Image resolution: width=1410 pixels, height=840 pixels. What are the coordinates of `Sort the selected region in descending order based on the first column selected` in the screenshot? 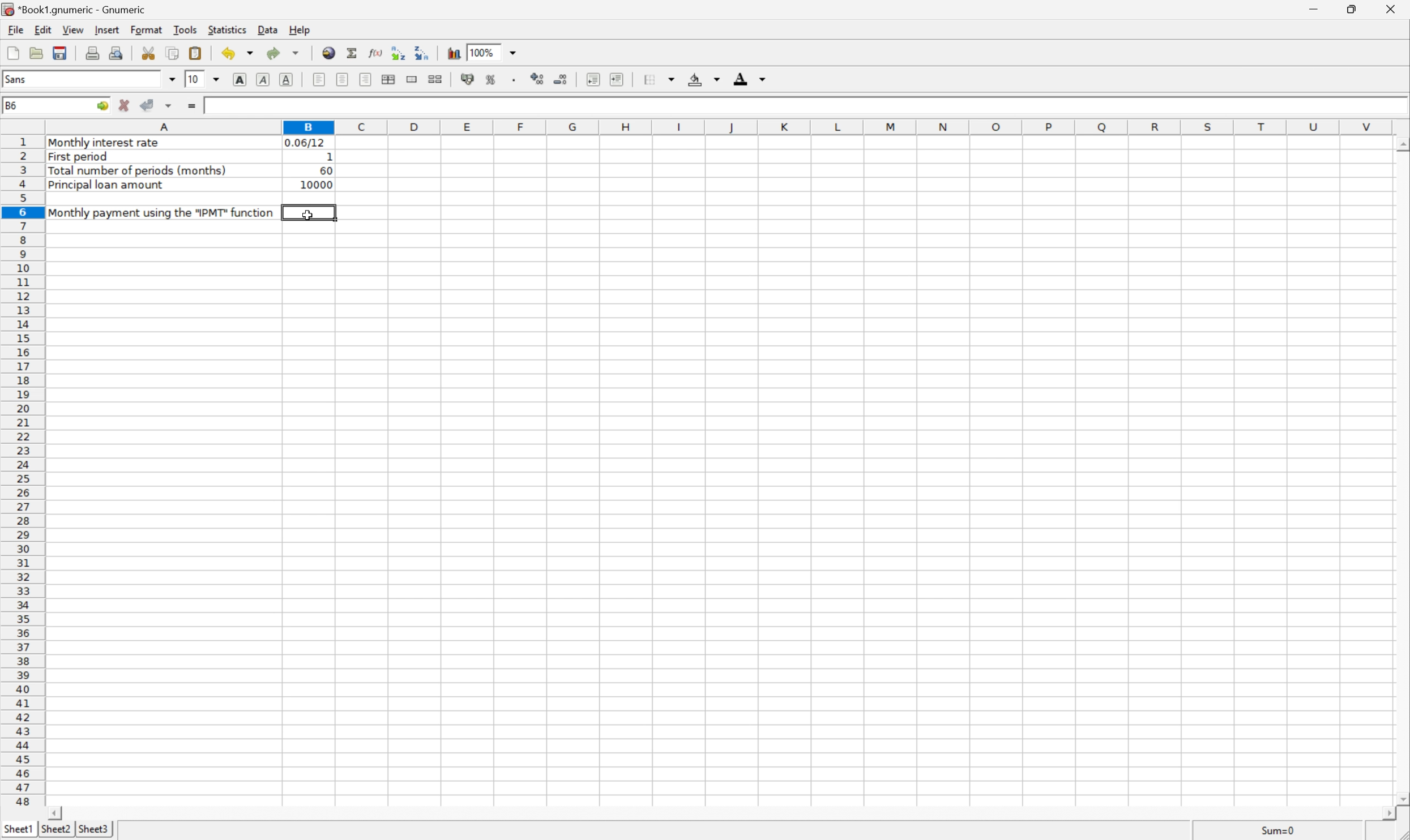 It's located at (422, 53).